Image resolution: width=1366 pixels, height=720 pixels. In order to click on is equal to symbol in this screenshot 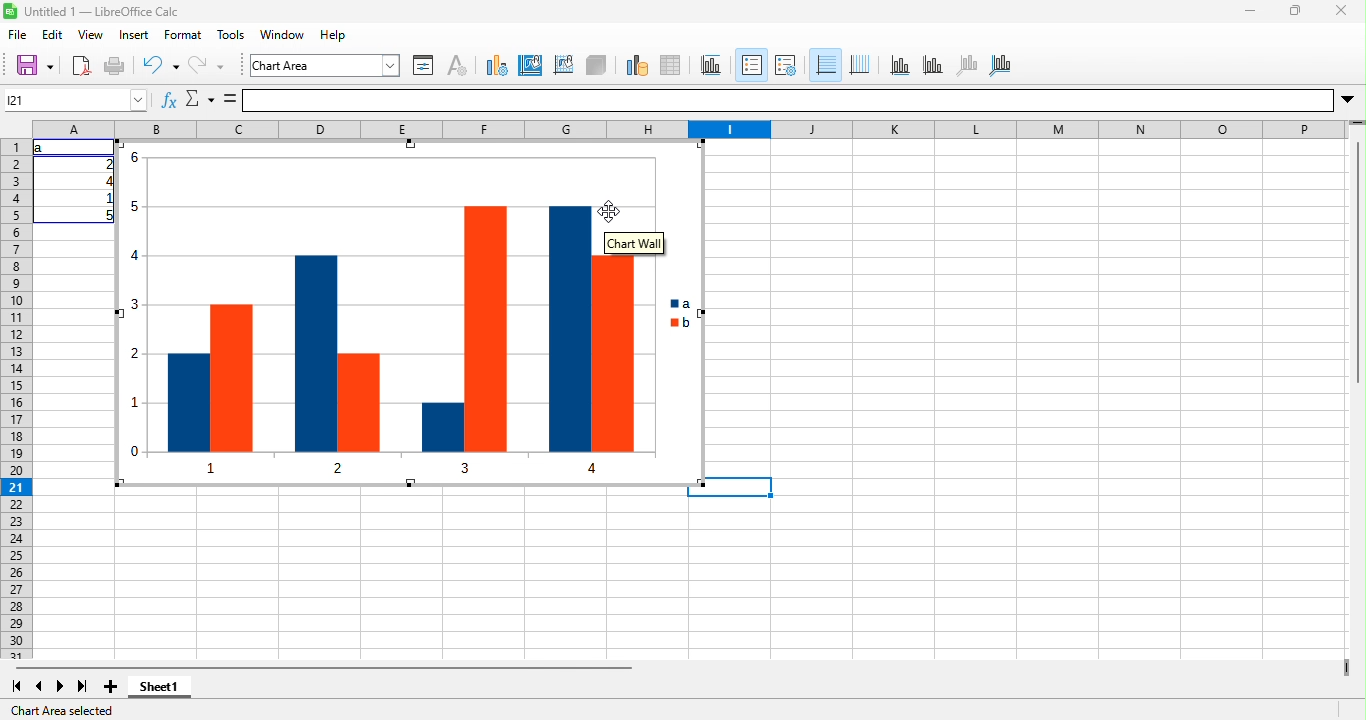, I will do `click(230, 99)`.